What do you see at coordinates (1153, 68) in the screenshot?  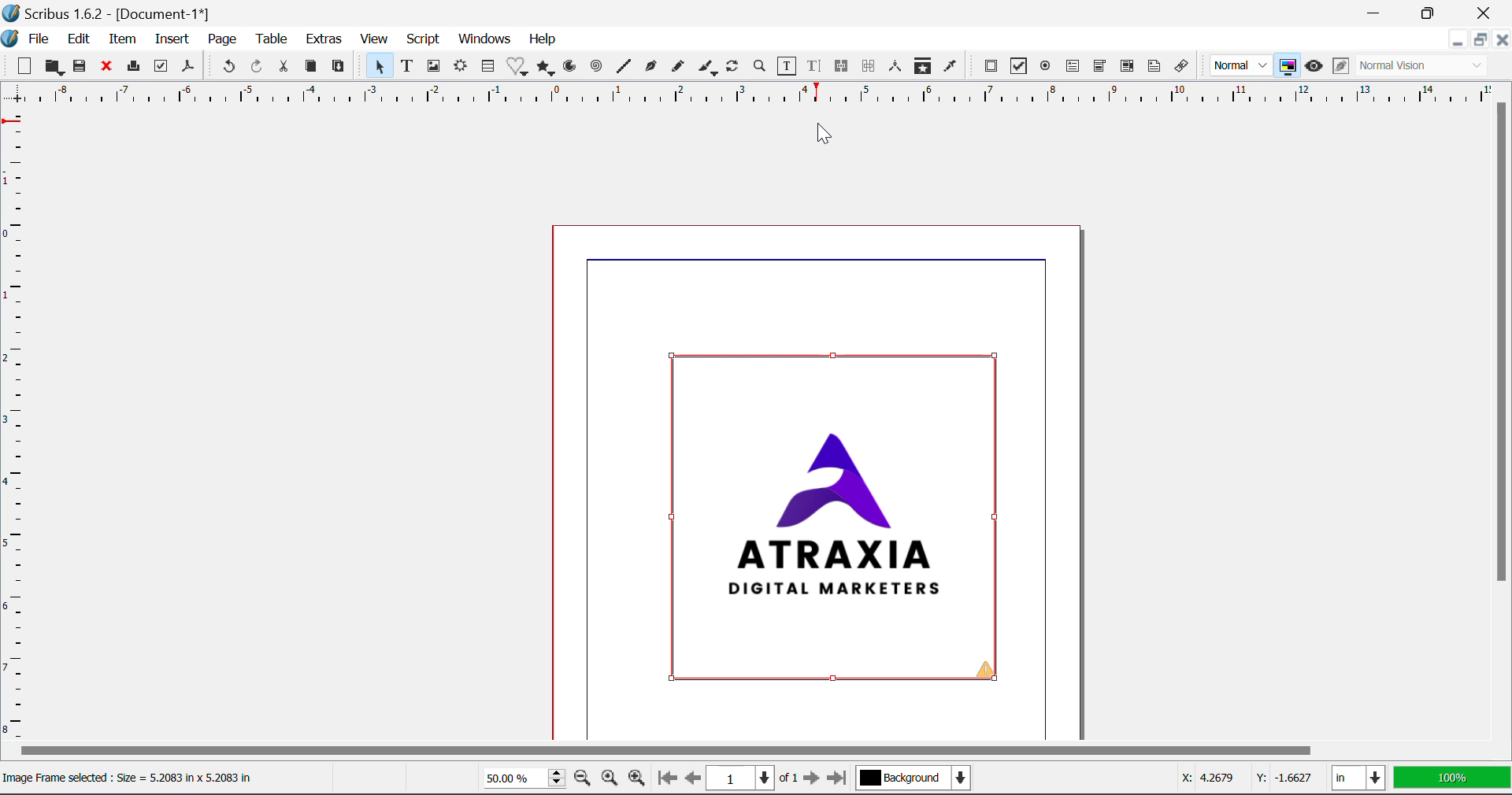 I see `Text Annotation` at bounding box center [1153, 68].